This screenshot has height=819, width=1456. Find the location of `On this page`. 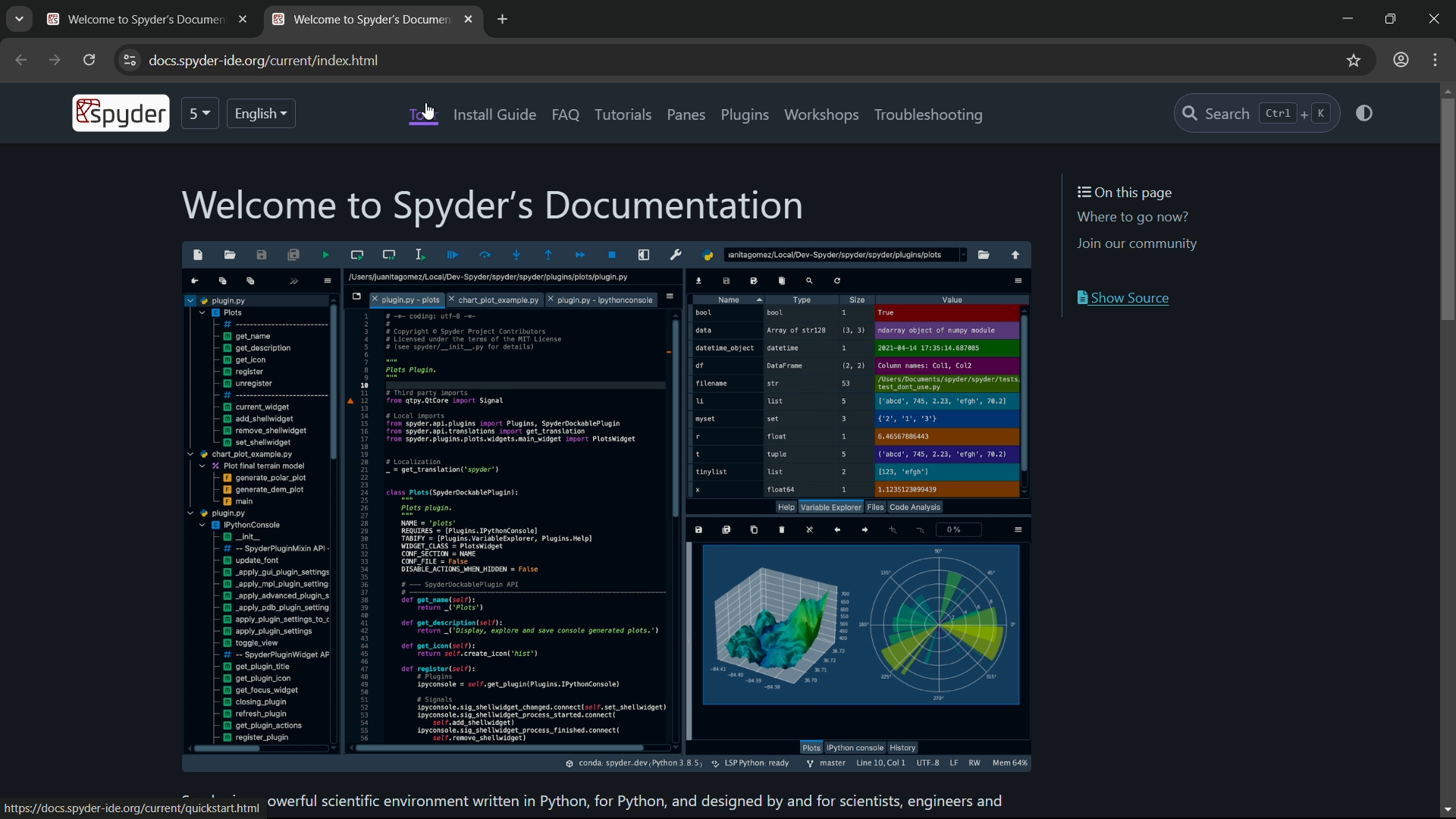

On this page is located at coordinates (1137, 190).